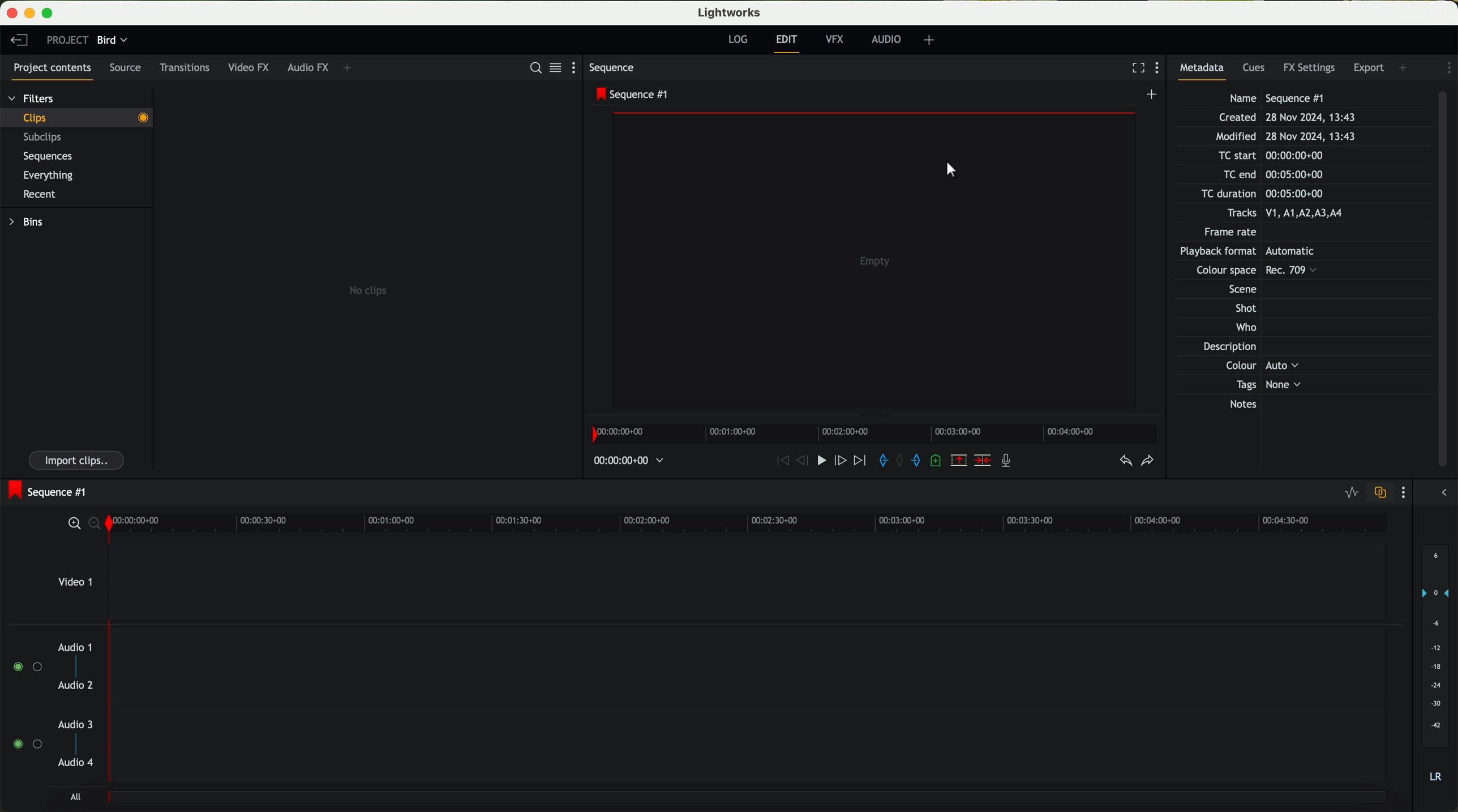 The width and height of the screenshot is (1458, 812). What do you see at coordinates (1447, 68) in the screenshot?
I see `show settings menu` at bounding box center [1447, 68].